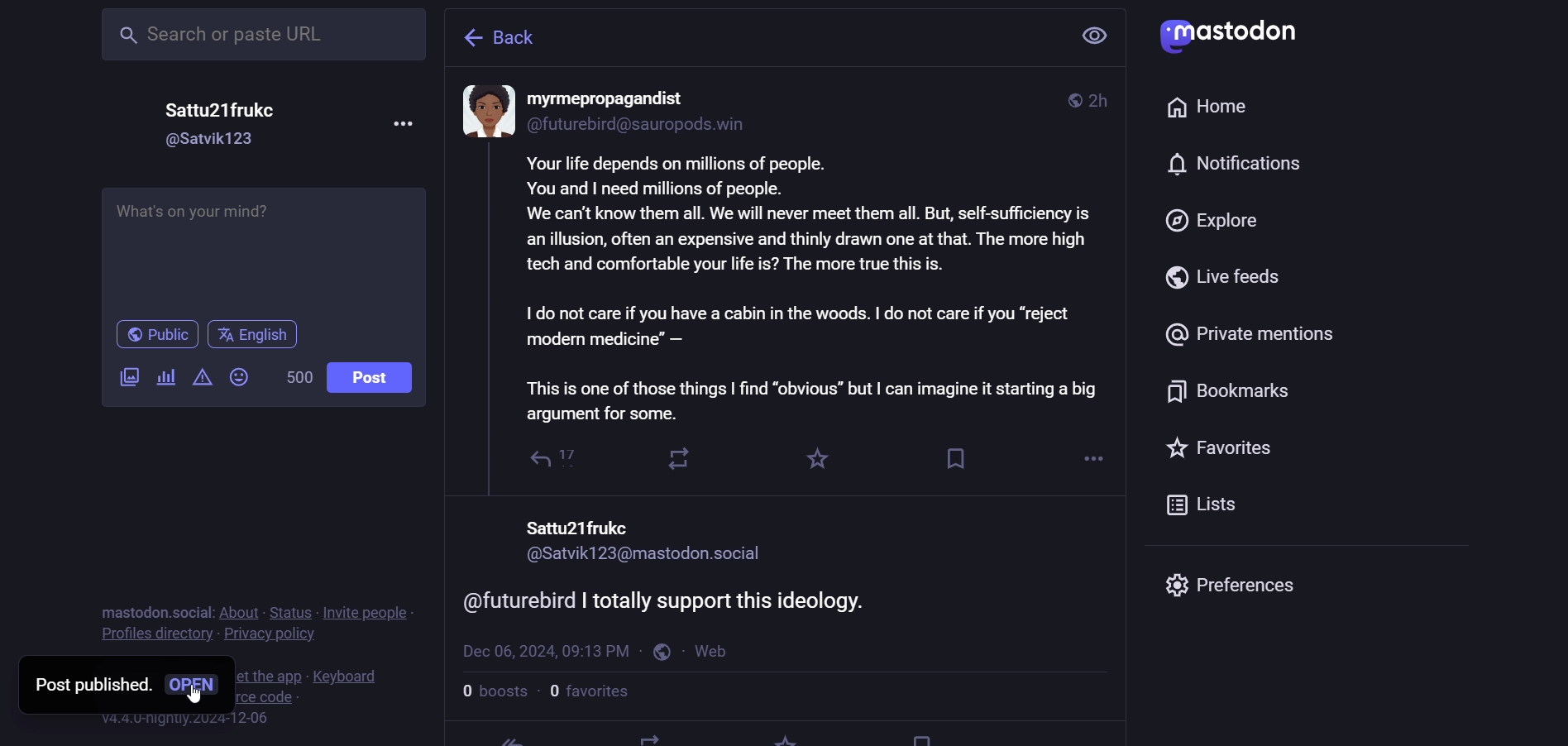 The image size is (1568, 746). I want to click on reply, so click(551, 458).